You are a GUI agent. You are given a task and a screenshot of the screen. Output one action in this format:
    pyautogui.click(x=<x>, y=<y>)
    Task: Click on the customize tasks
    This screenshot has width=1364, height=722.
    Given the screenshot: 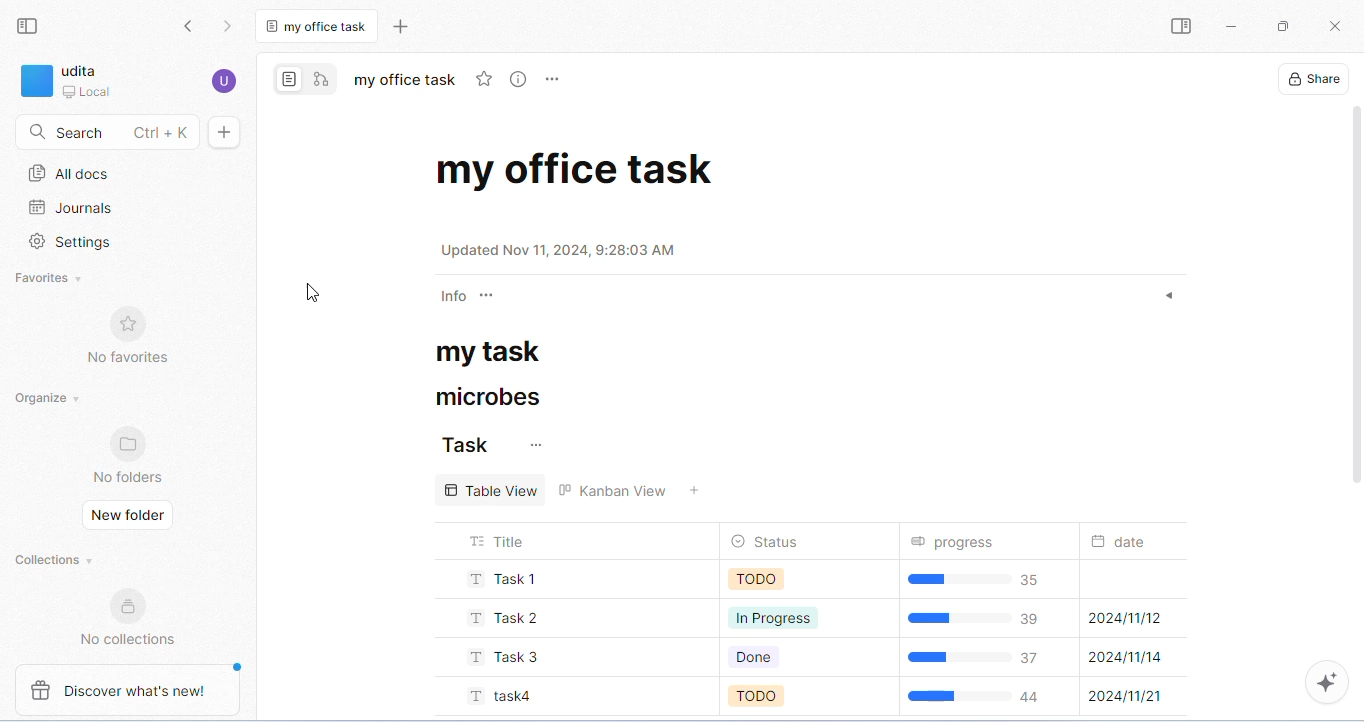 What is the action you would take?
    pyautogui.click(x=537, y=446)
    